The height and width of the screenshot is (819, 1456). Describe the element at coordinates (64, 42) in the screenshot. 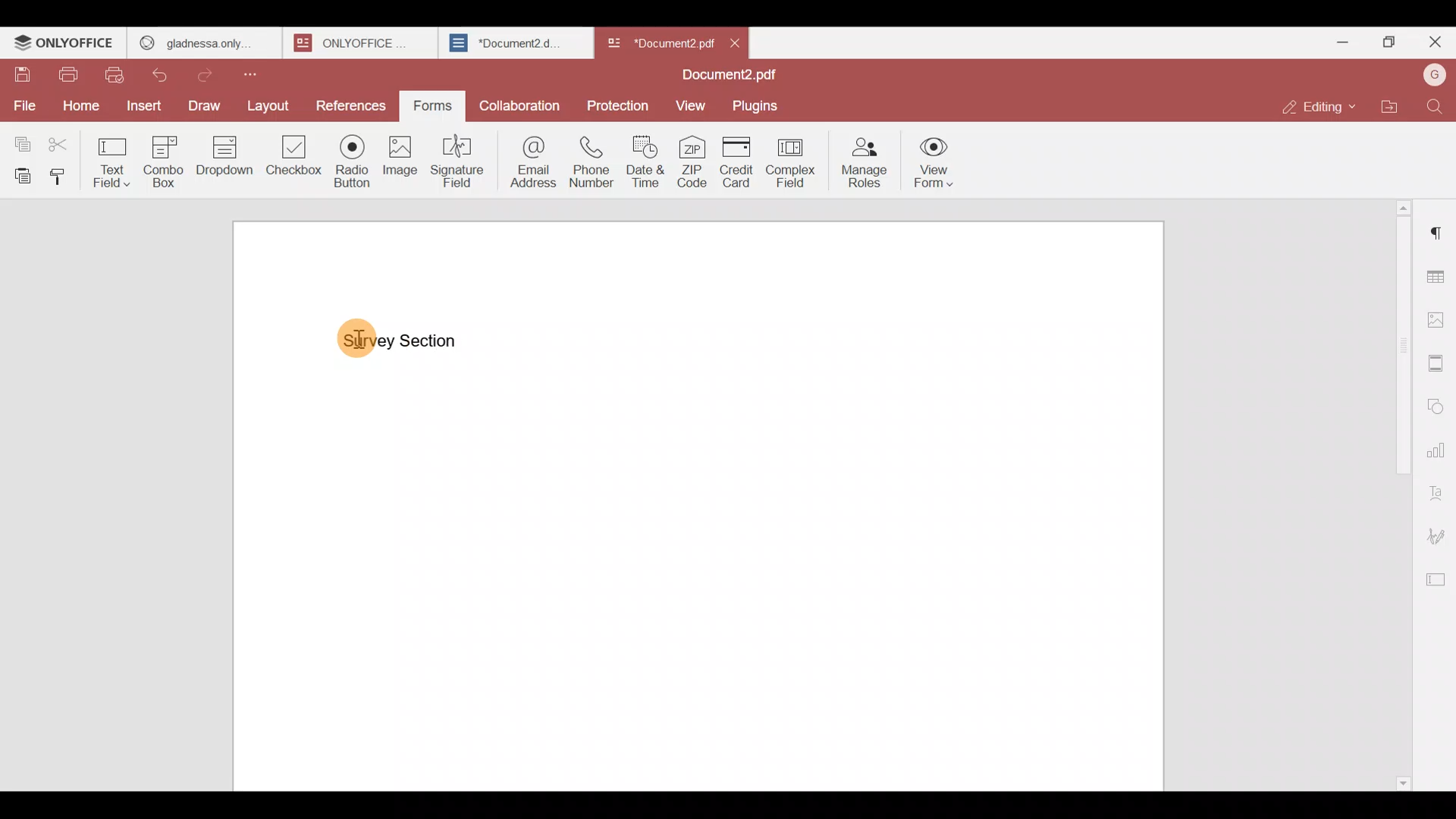

I see `ONLYOFFICE` at that location.